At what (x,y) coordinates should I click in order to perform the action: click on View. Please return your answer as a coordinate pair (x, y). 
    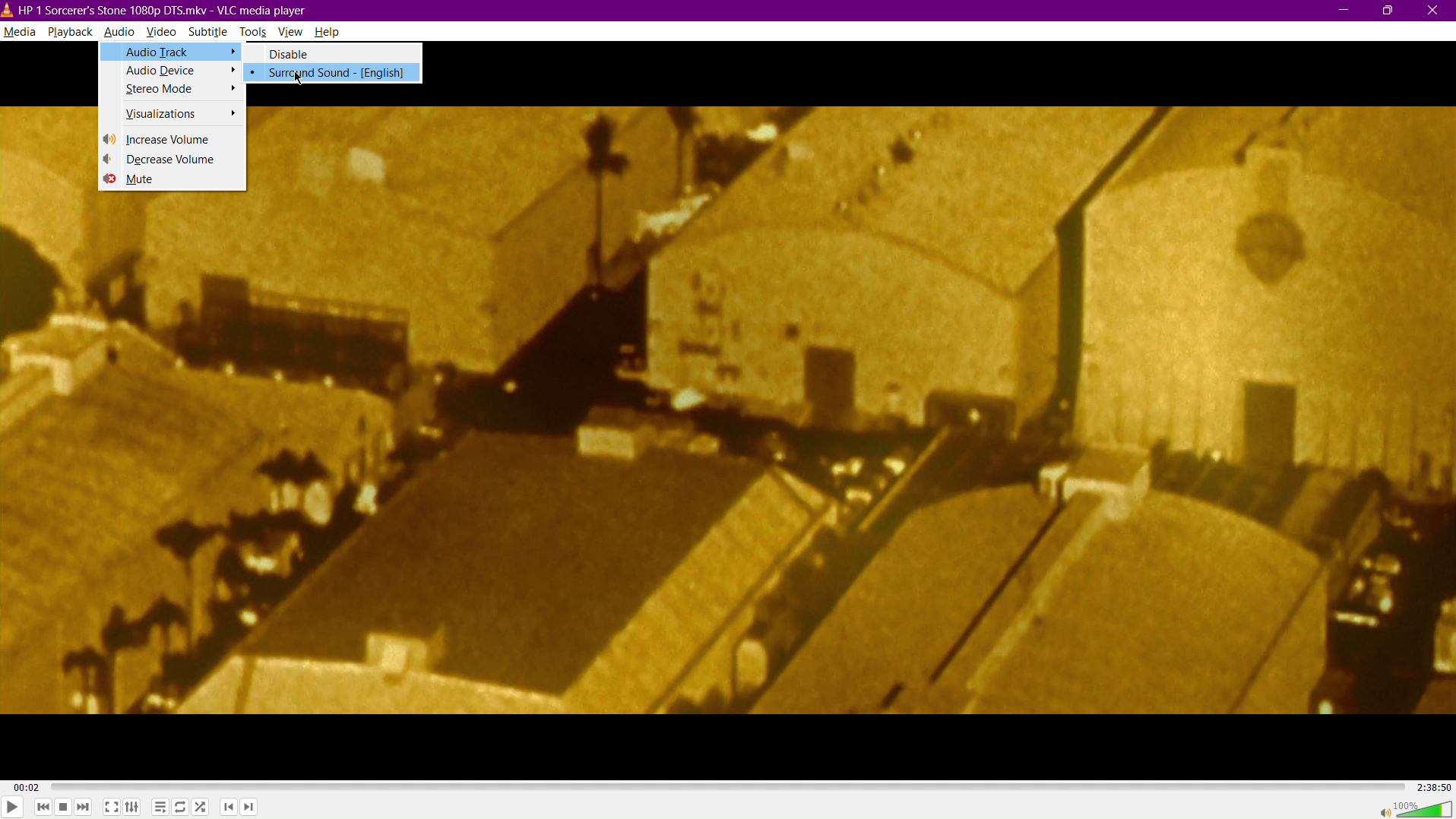
    Looking at the image, I should click on (293, 33).